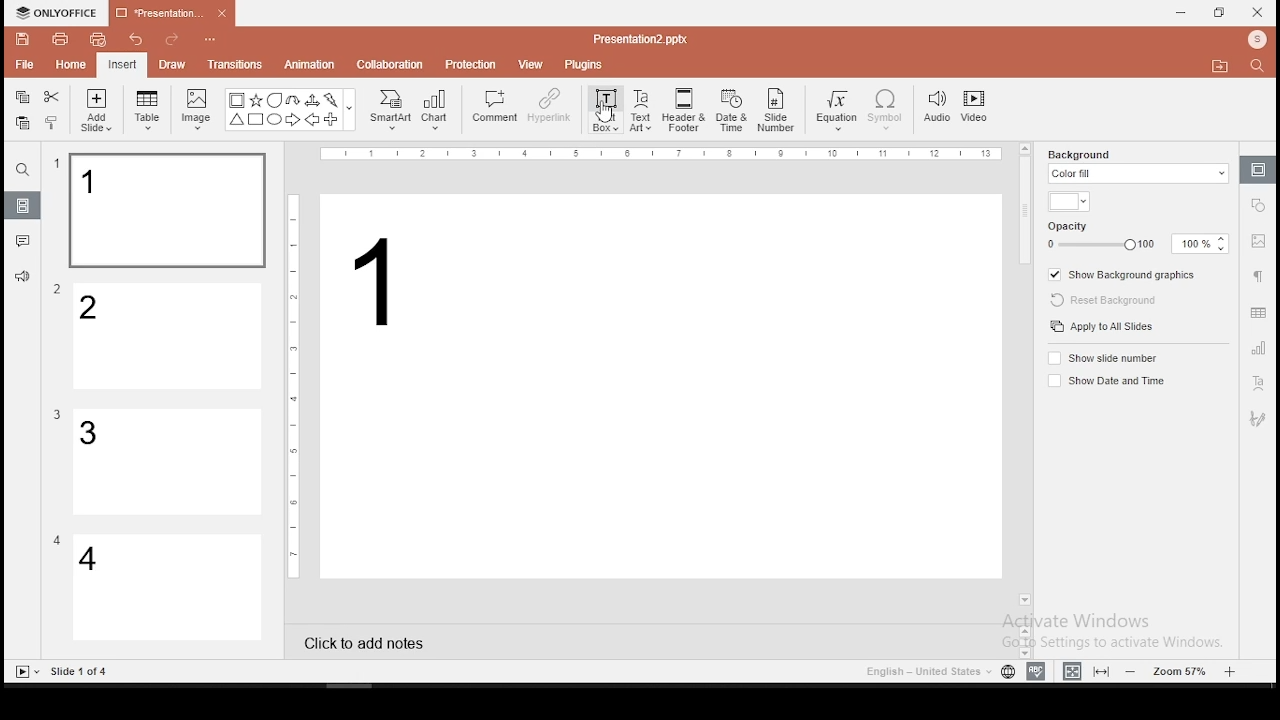 The image size is (1280, 720). Describe the element at coordinates (60, 37) in the screenshot. I see `print file` at that location.